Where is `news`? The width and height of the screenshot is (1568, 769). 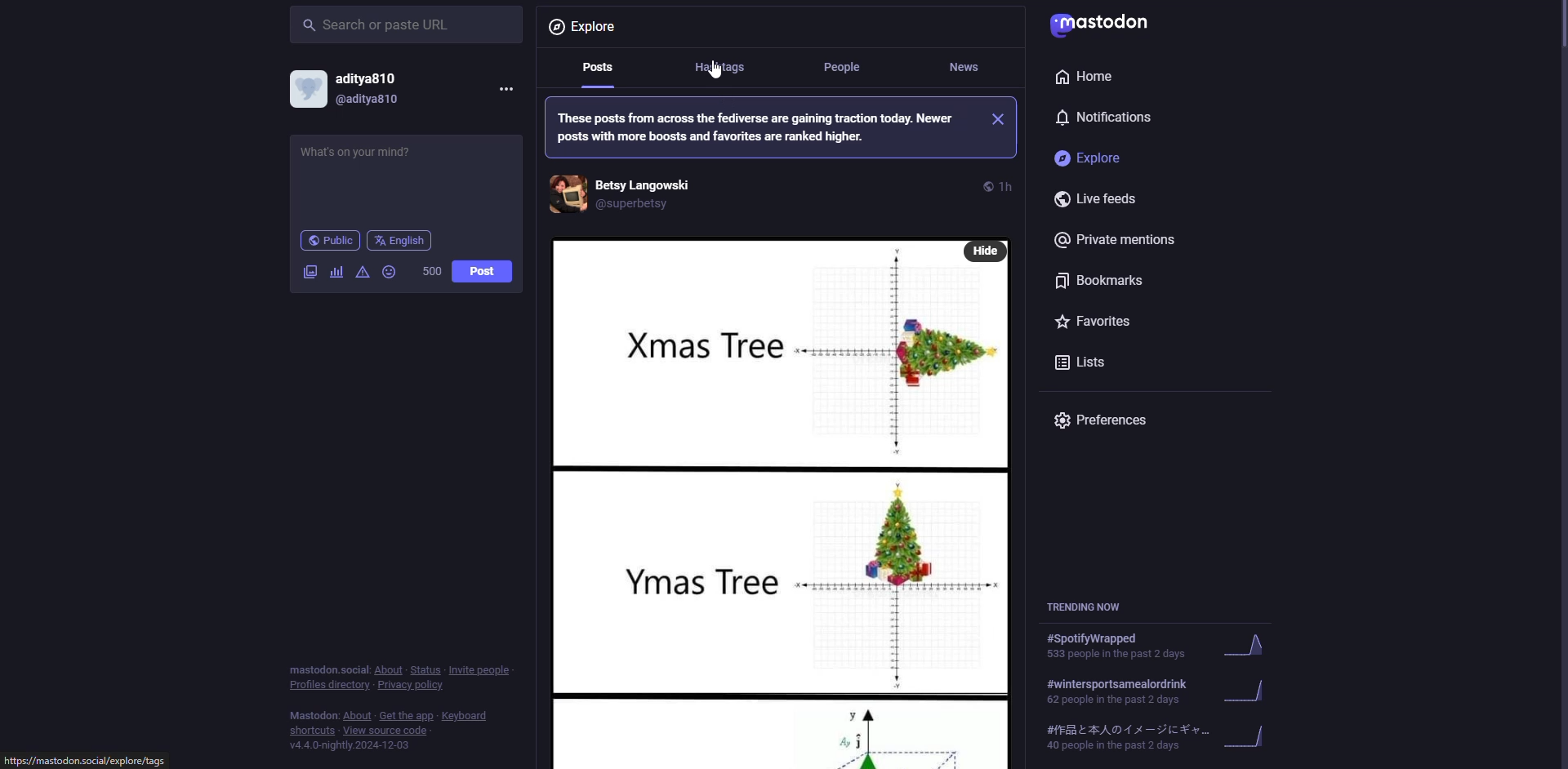
news is located at coordinates (976, 68).